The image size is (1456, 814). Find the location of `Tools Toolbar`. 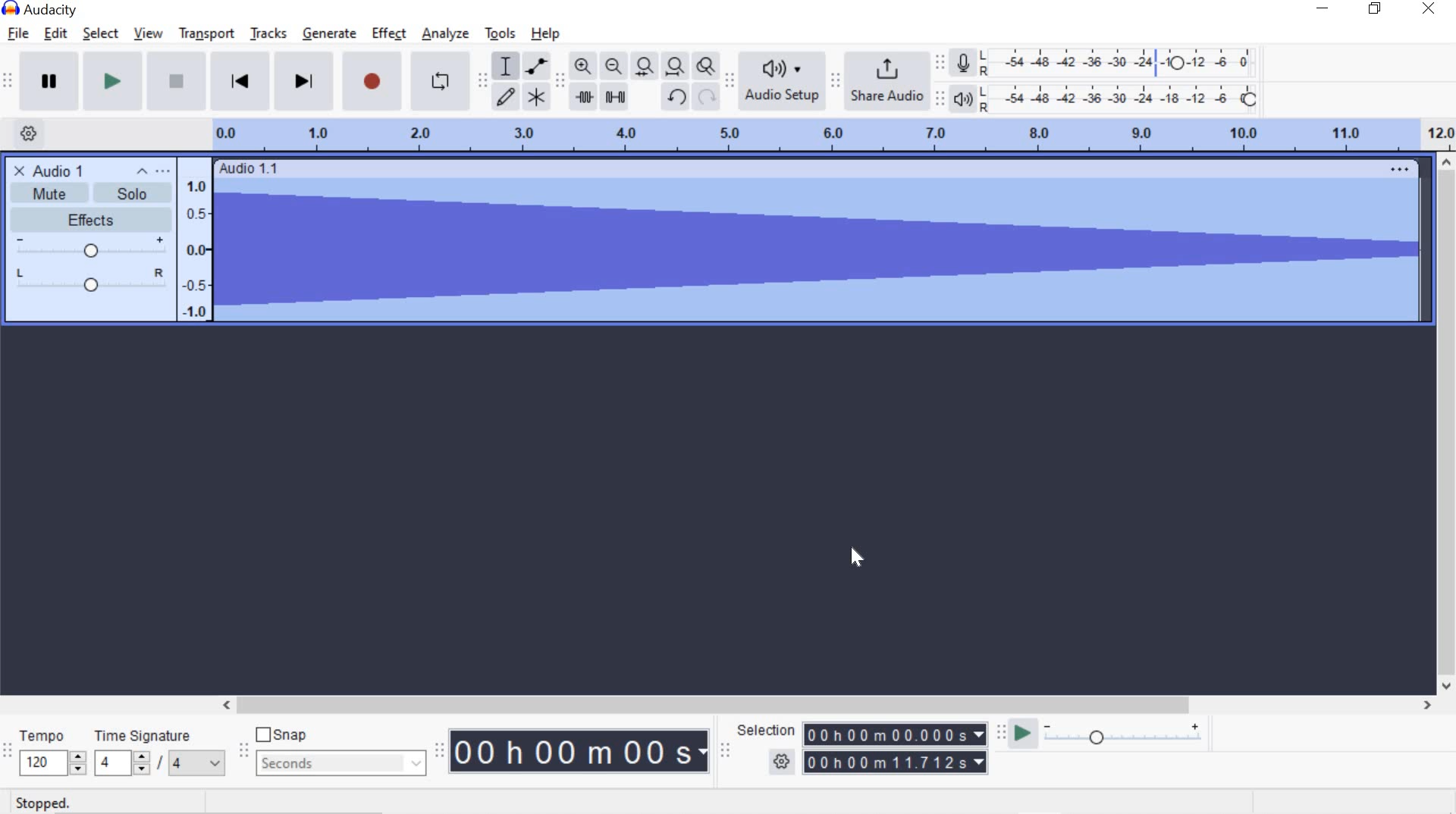

Tools Toolbar is located at coordinates (485, 82).